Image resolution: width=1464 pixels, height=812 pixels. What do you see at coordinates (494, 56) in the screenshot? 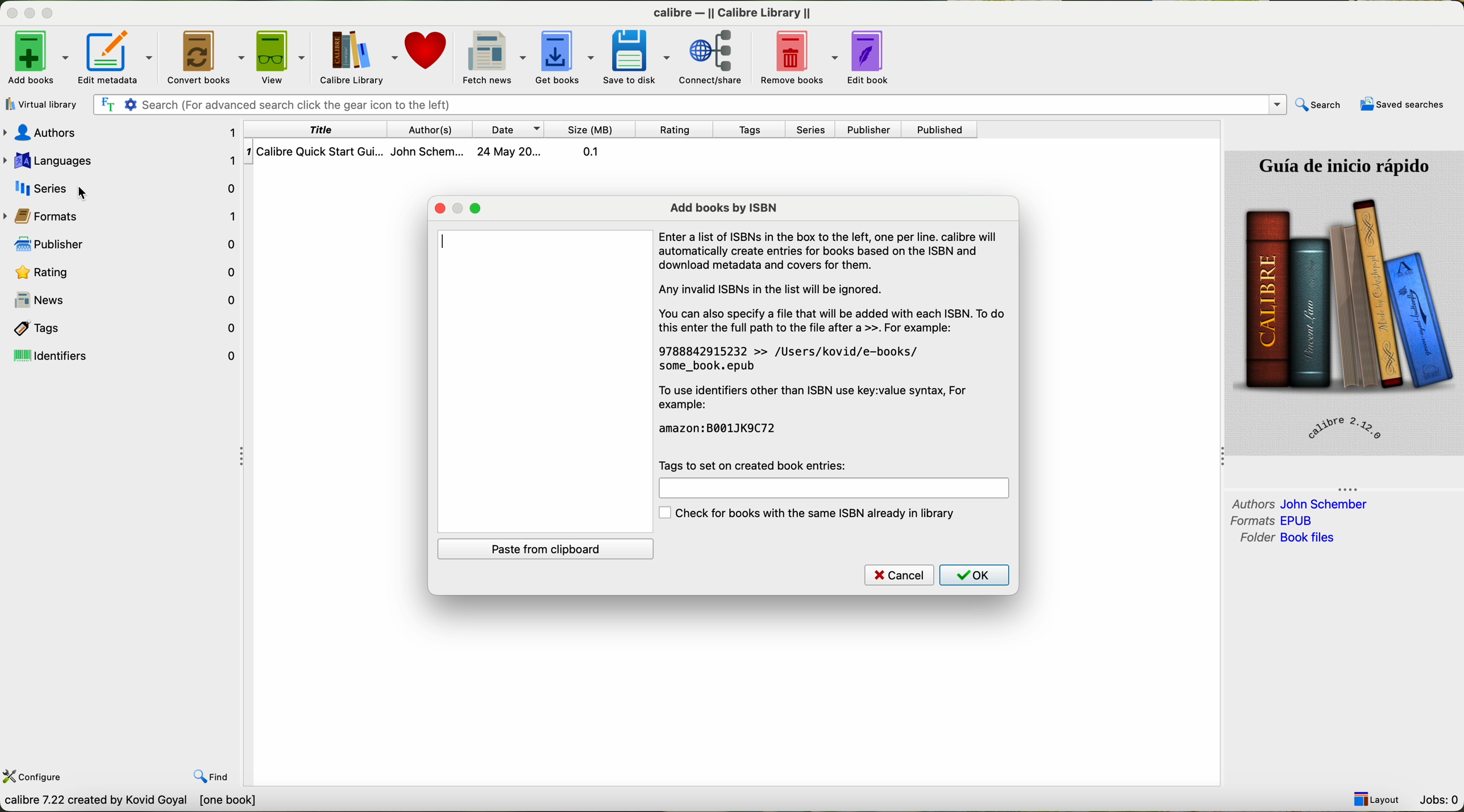
I see `fetch news` at bounding box center [494, 56].